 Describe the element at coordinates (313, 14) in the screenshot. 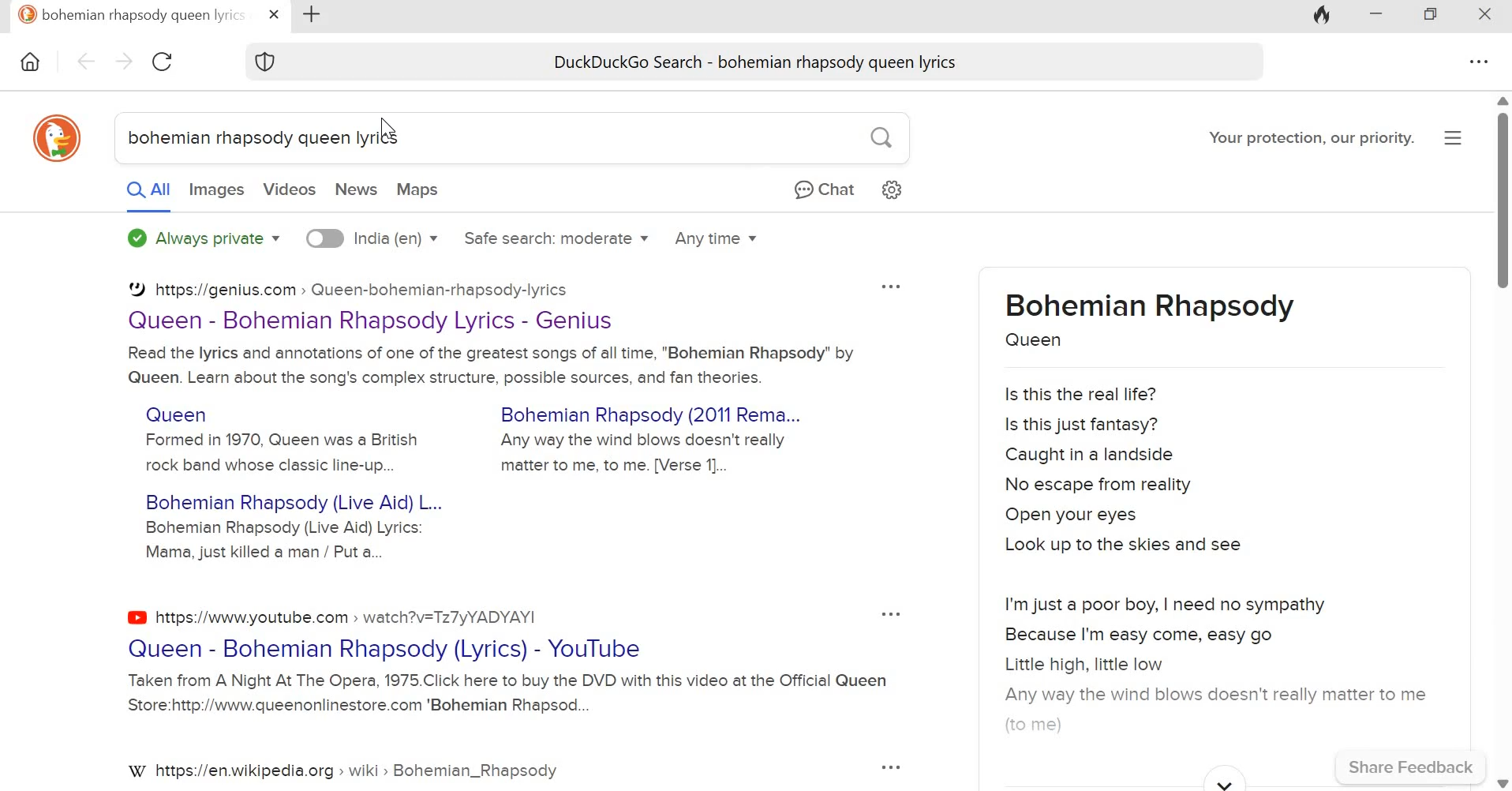

I see `New tab` at that location.